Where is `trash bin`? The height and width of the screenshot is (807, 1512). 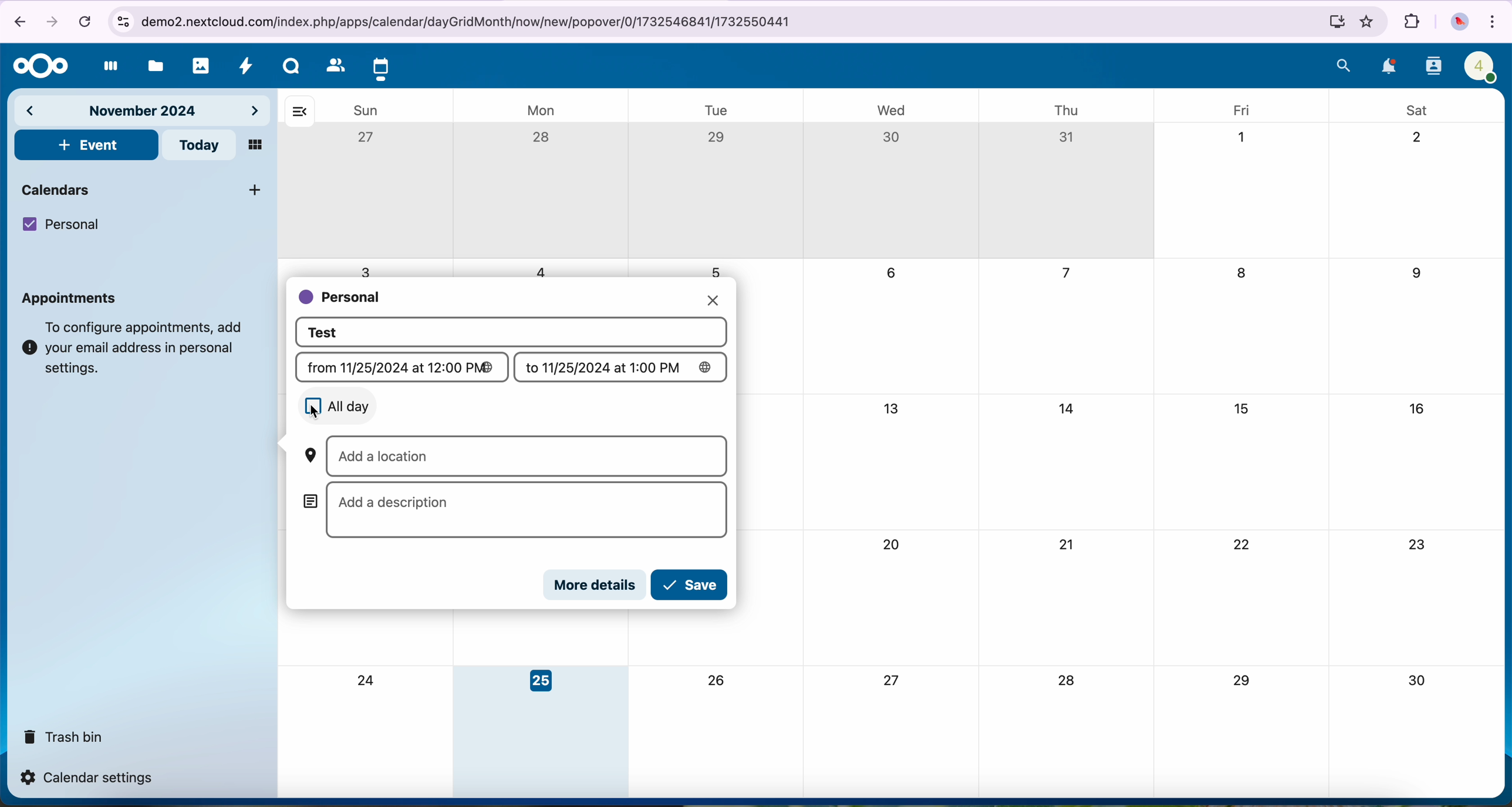 trash bin is located at coordinates (61, 735).